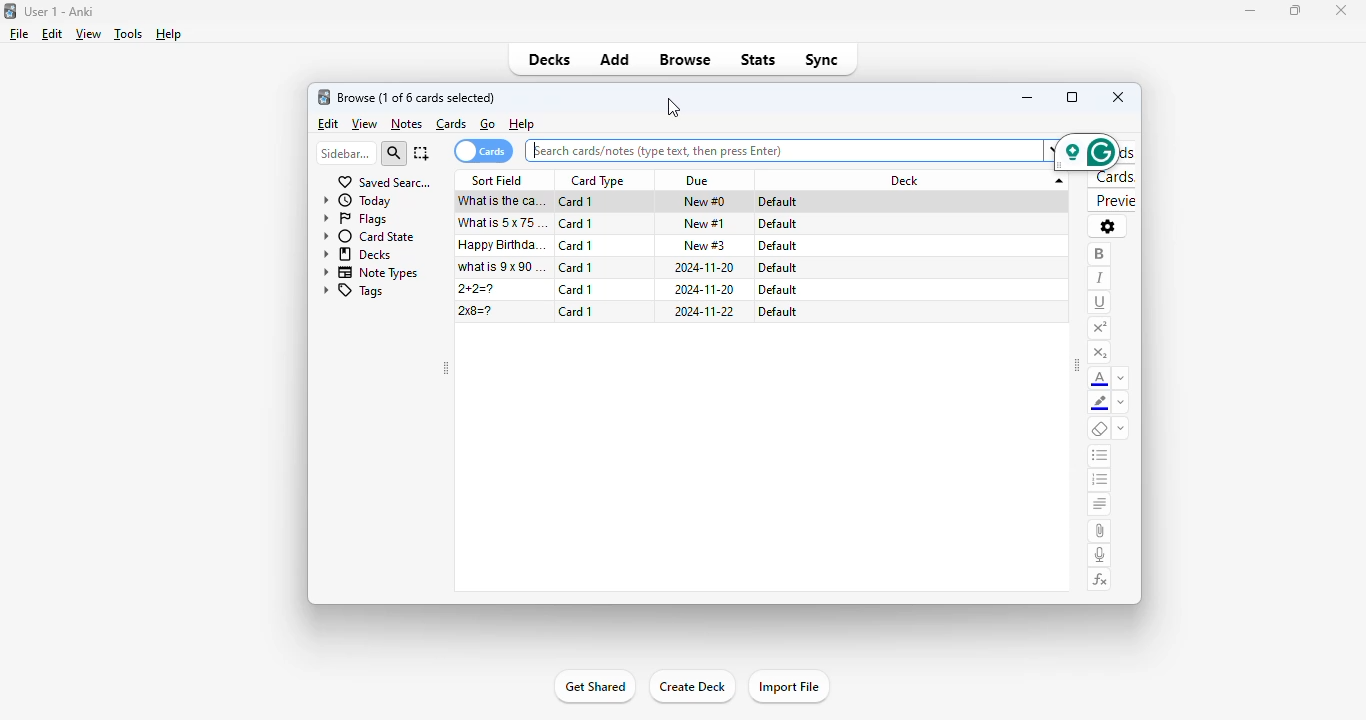  Describe the element at coordinates (758, 60) in the screenshot. I see `stats` at that location.